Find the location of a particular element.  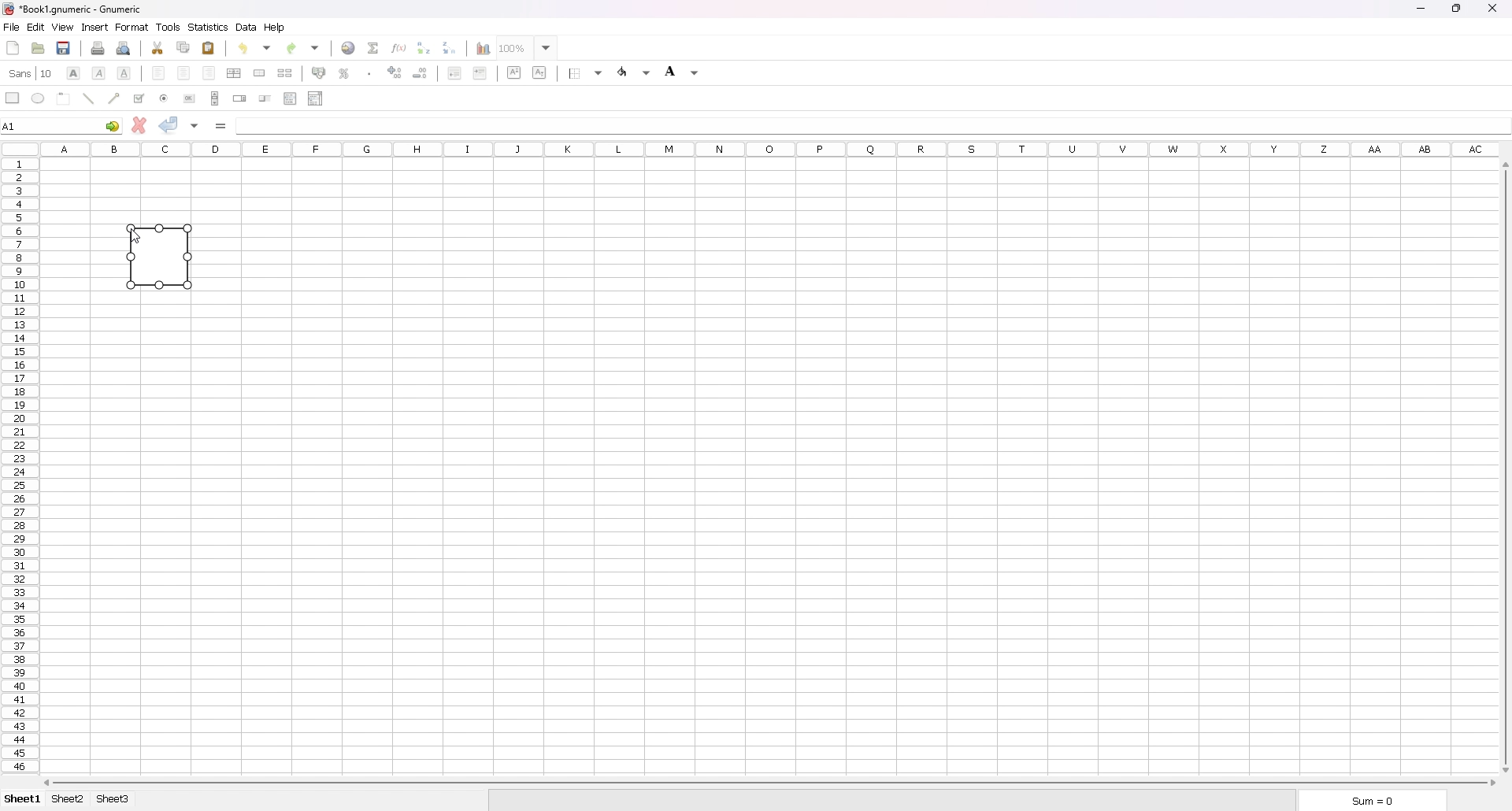

chart is located at coordinates (482, 49).